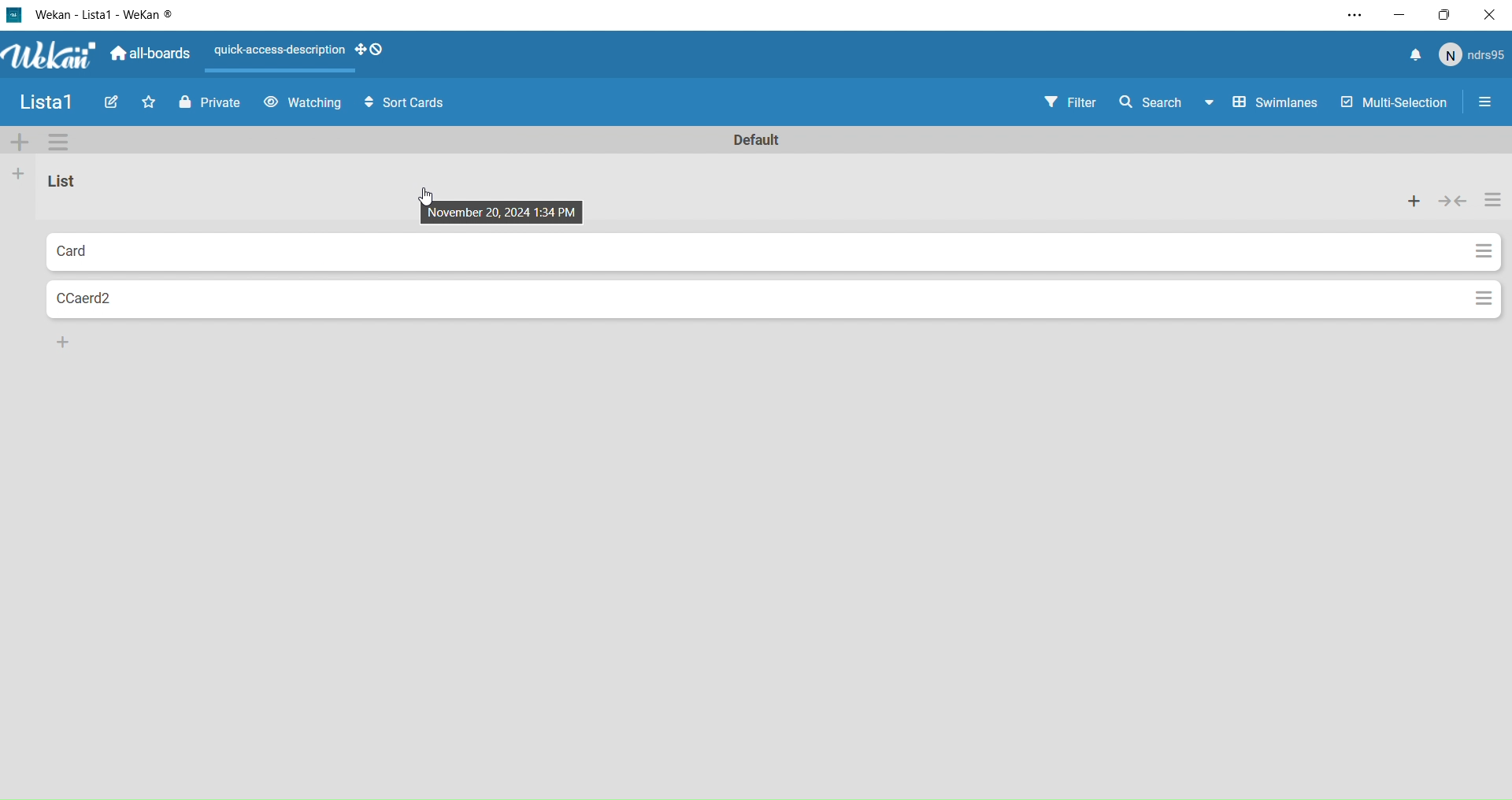 This screenshot has width=1512, height=800. Describe the element at coordinates (1451, 15) in the screenshot. I see `Box` at that location.